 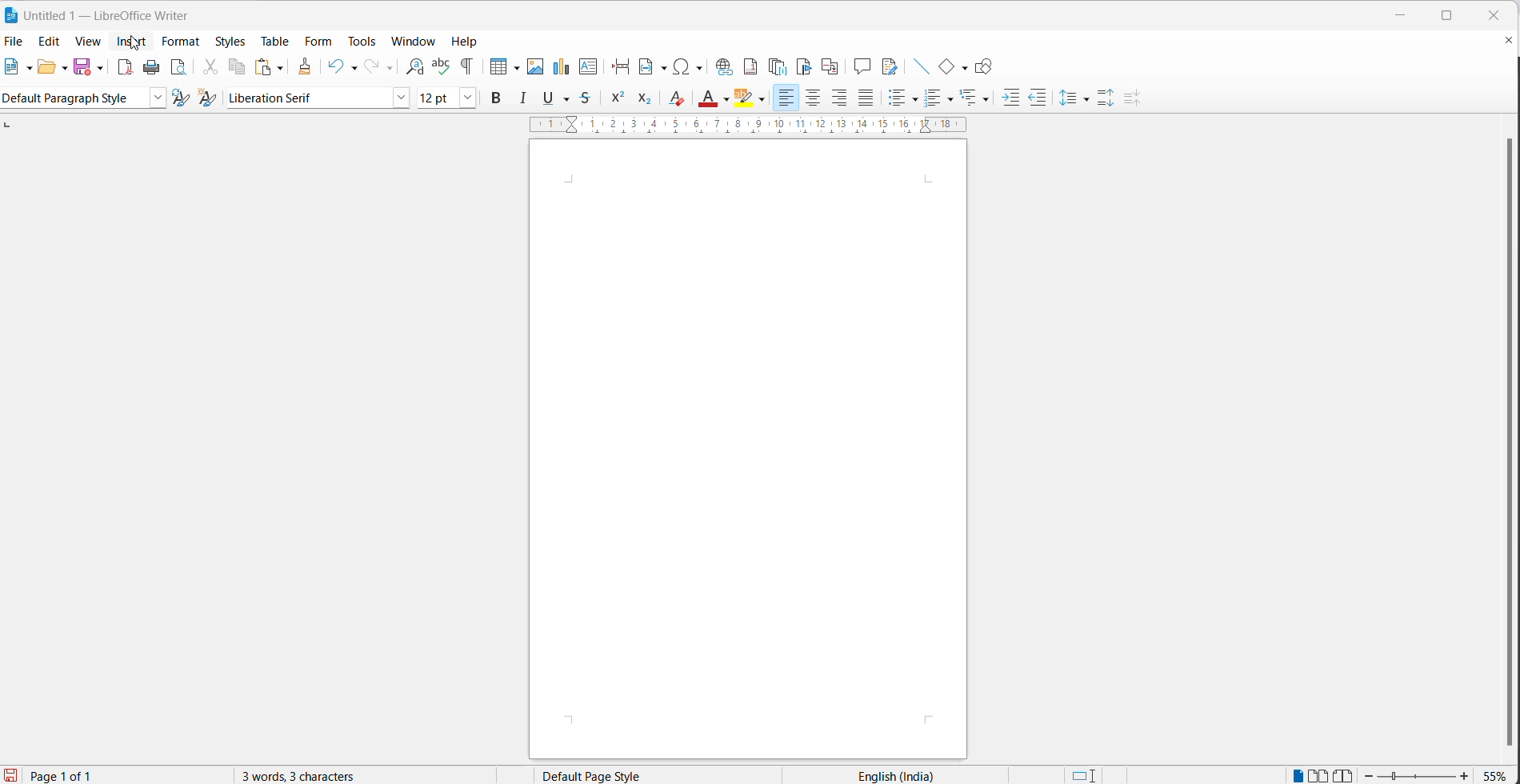 I want to click on insert endnote, so click(x=782, y=66).